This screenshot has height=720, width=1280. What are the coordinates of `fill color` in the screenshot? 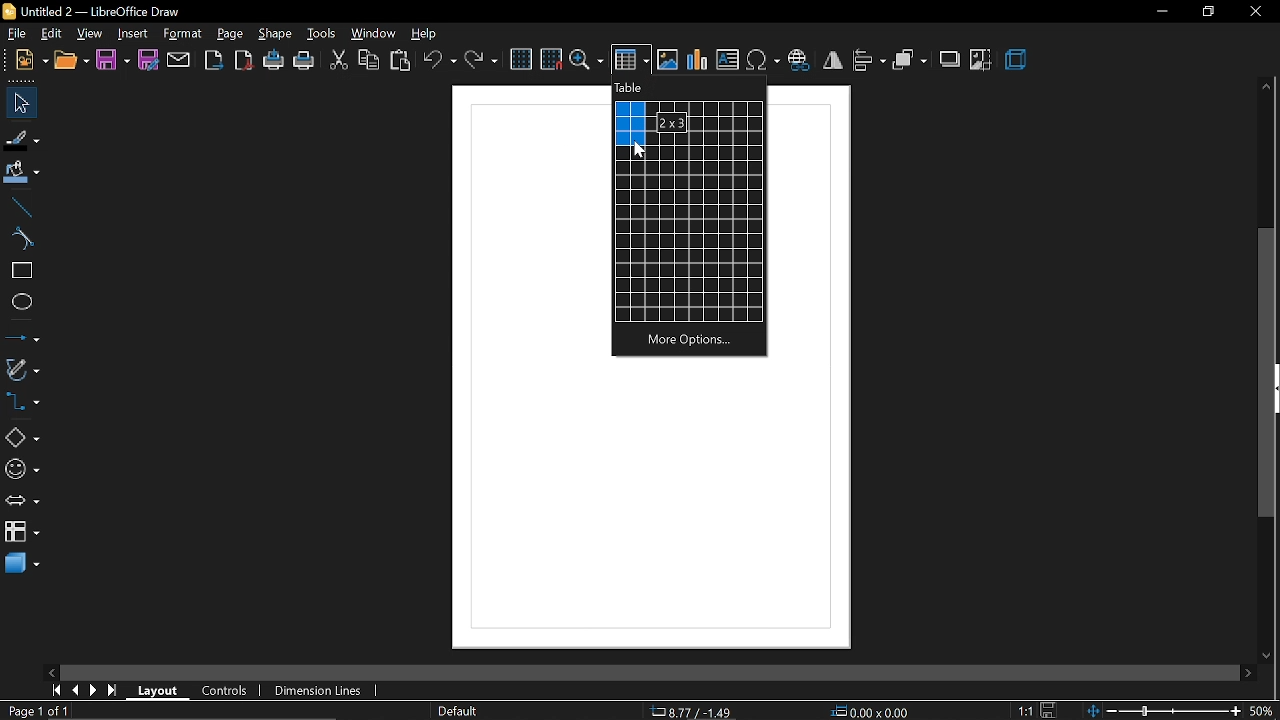 It's located at (22, 176).